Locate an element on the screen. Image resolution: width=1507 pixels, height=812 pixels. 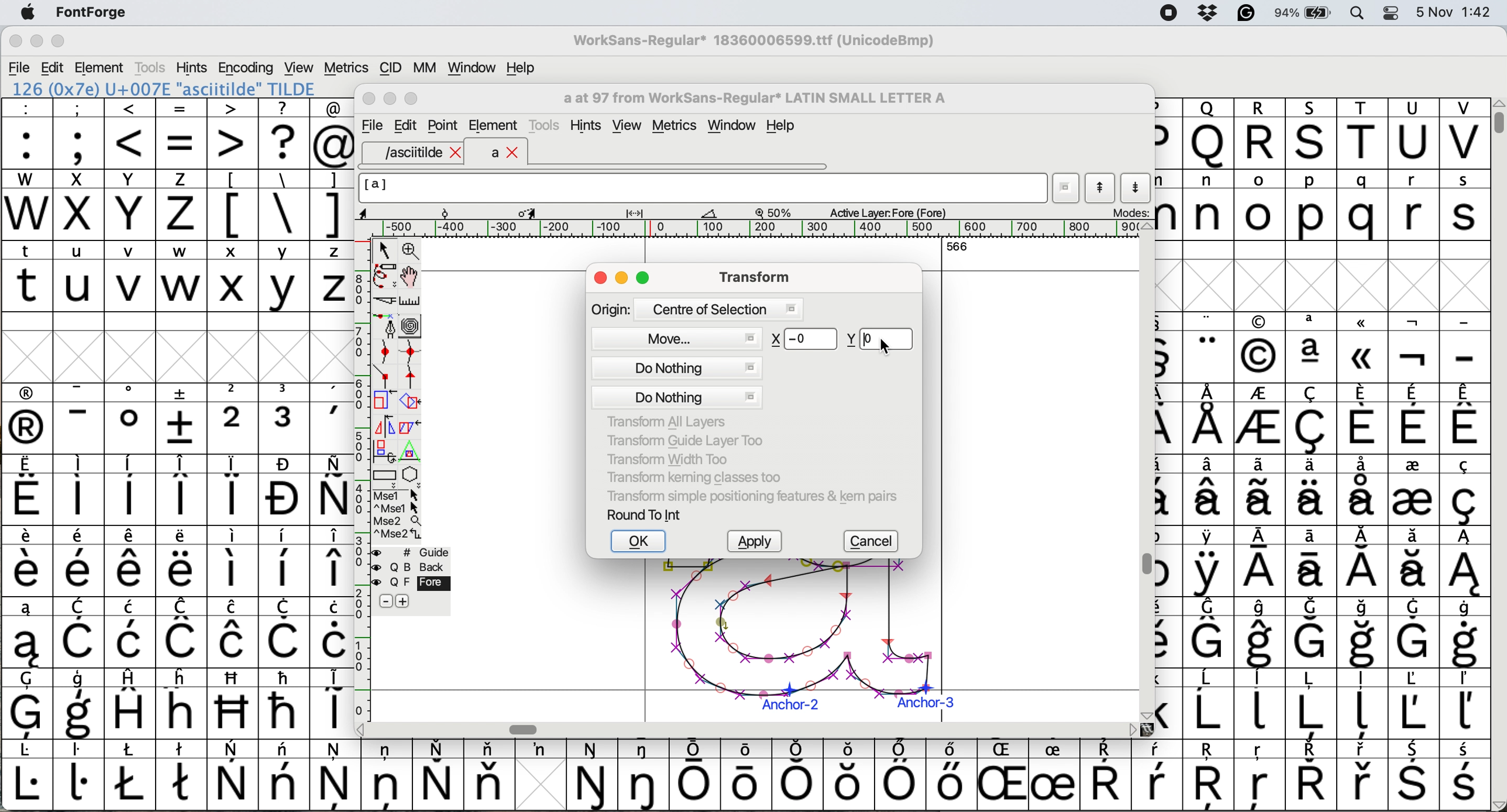
symbol is located at coordinates (1413, 419).